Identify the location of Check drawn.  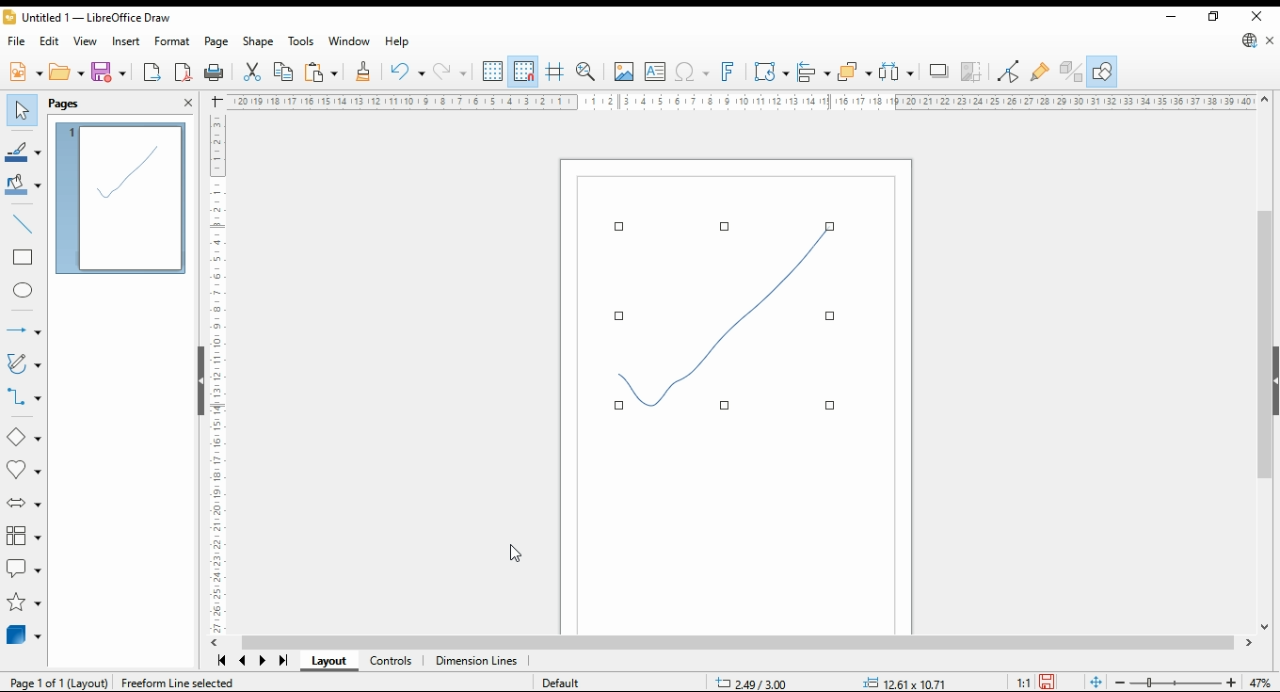
(731, 315).